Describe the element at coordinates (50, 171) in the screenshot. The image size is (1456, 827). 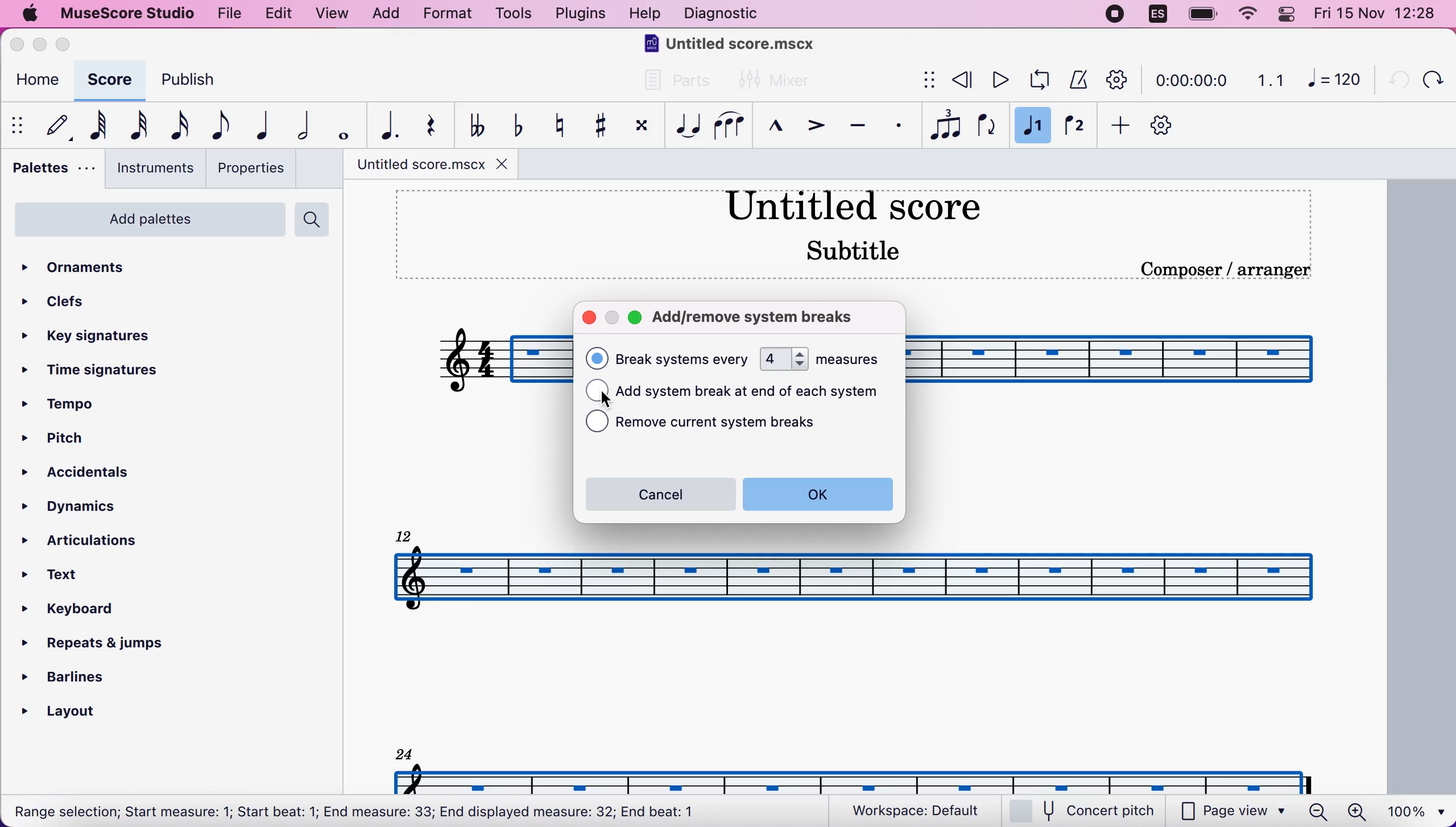
I see `palettes` at that location.